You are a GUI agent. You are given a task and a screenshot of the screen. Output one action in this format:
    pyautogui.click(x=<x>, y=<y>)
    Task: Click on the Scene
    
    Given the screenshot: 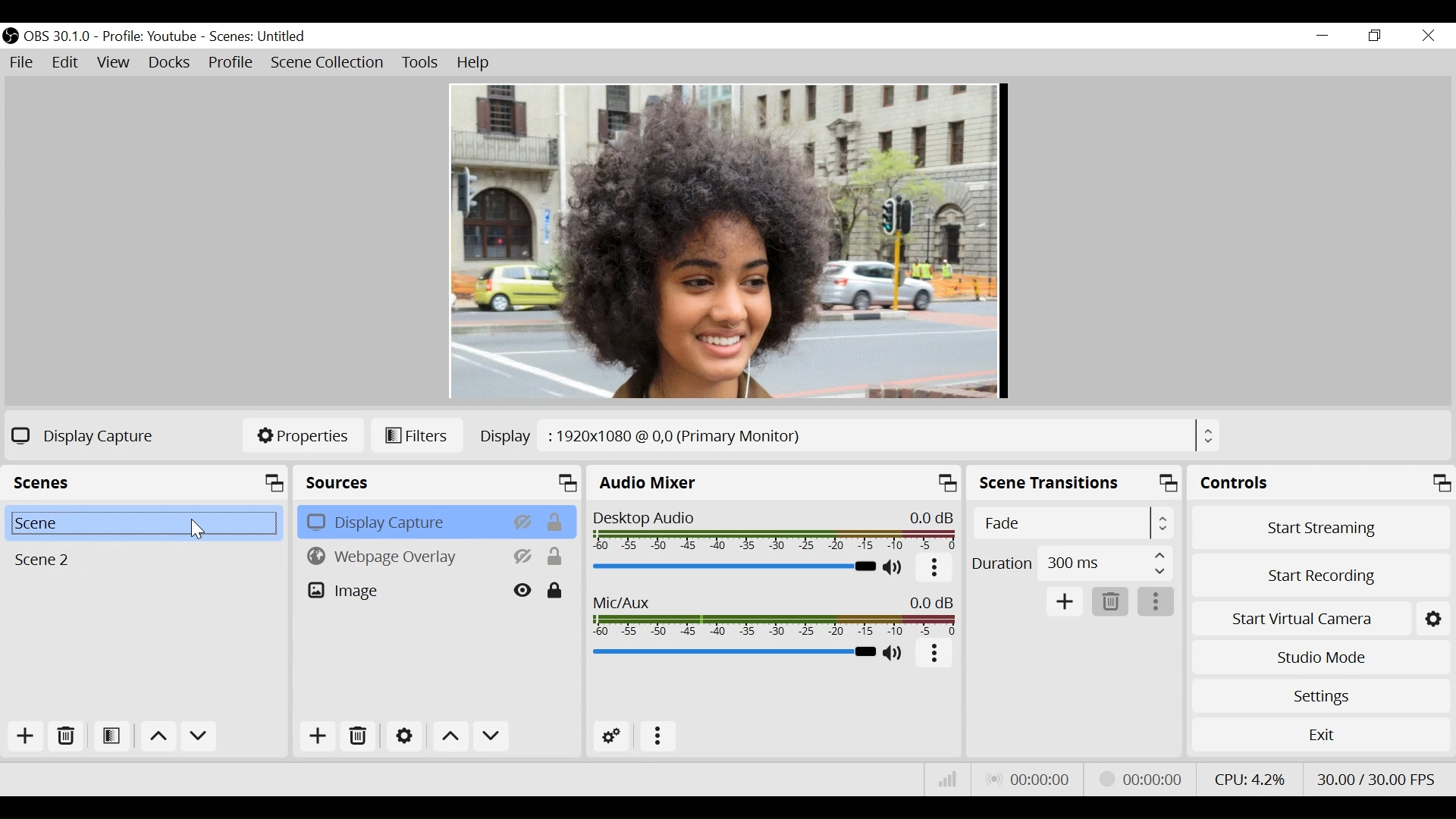 What is the action you would take?
    pyautogui.click(x=149, y=519)
    